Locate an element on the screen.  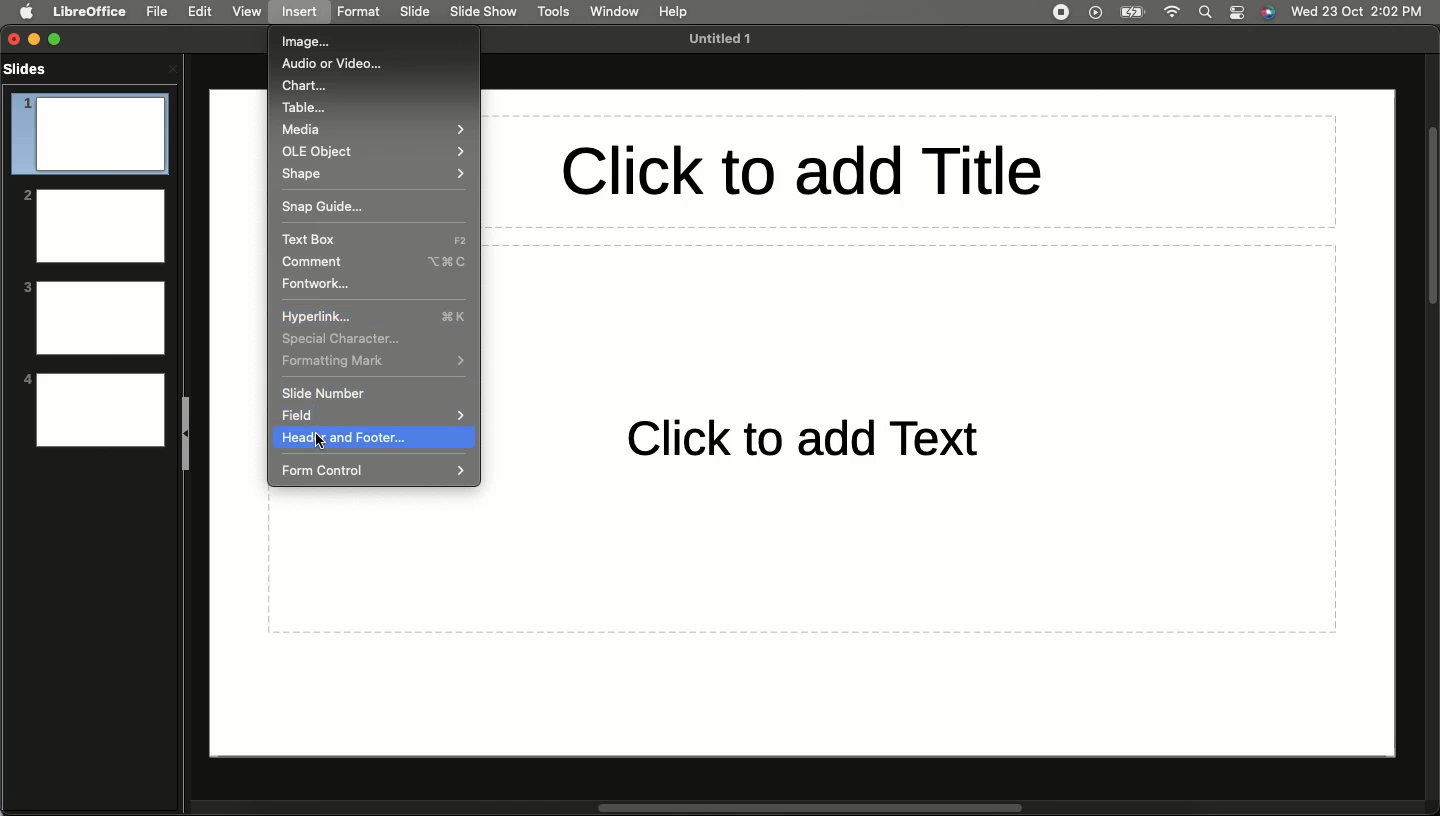
Text box is located at coordinates (373, 239).